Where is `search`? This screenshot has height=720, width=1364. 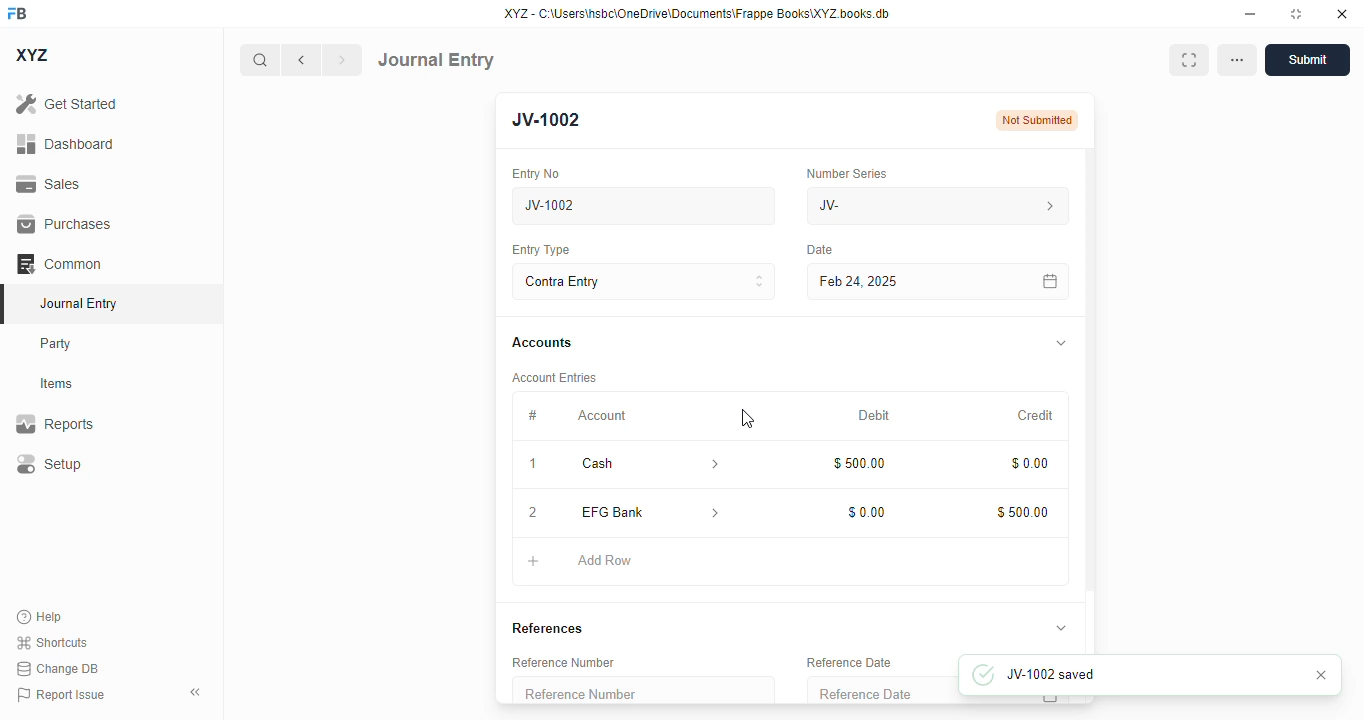
search is located at coordinates (259, 60).